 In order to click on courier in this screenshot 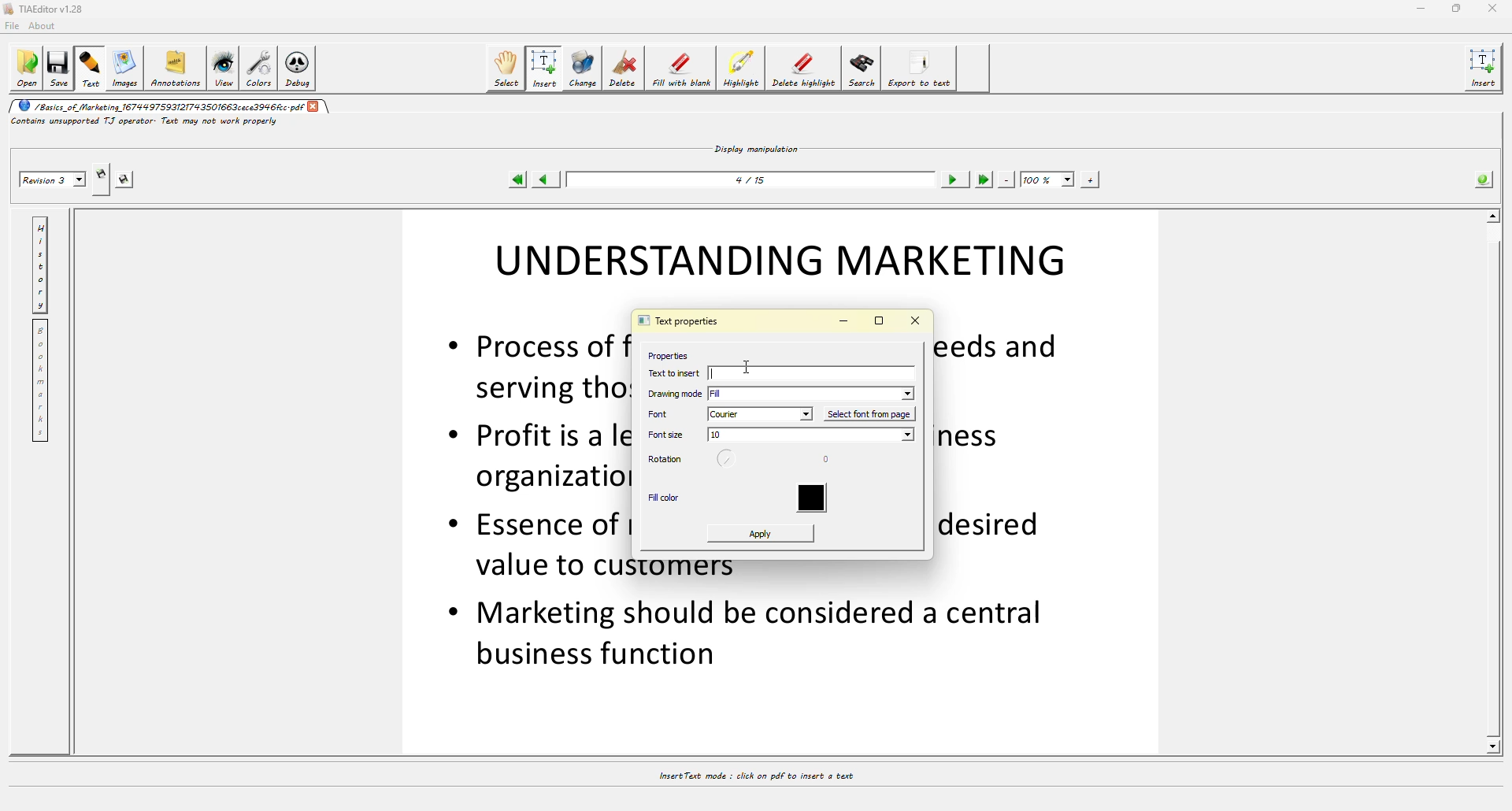, I will do `click(761, 414)`.